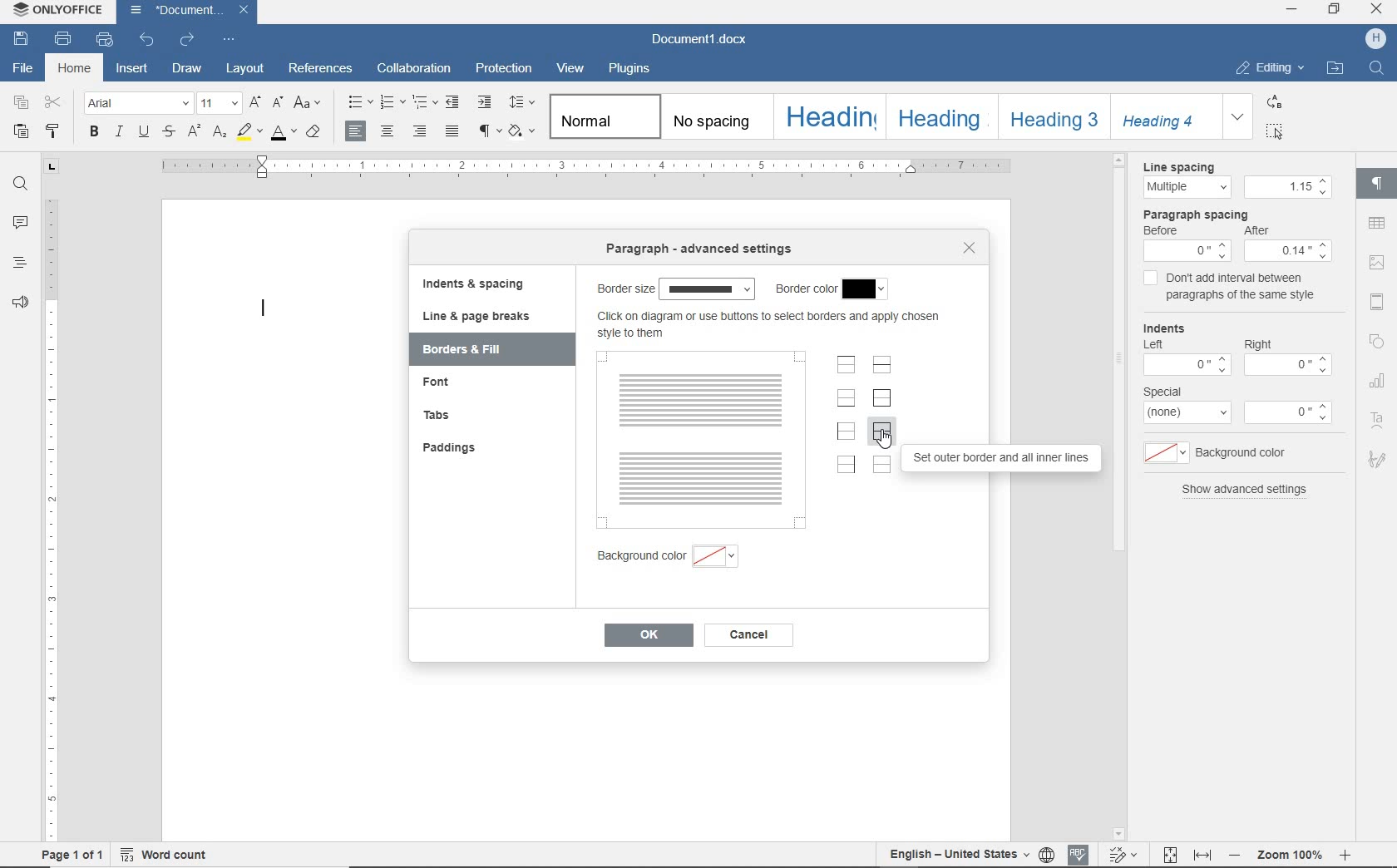 The width and height of the screenshot is (1397, 868). I want to click on background color, so click(1233, 455).